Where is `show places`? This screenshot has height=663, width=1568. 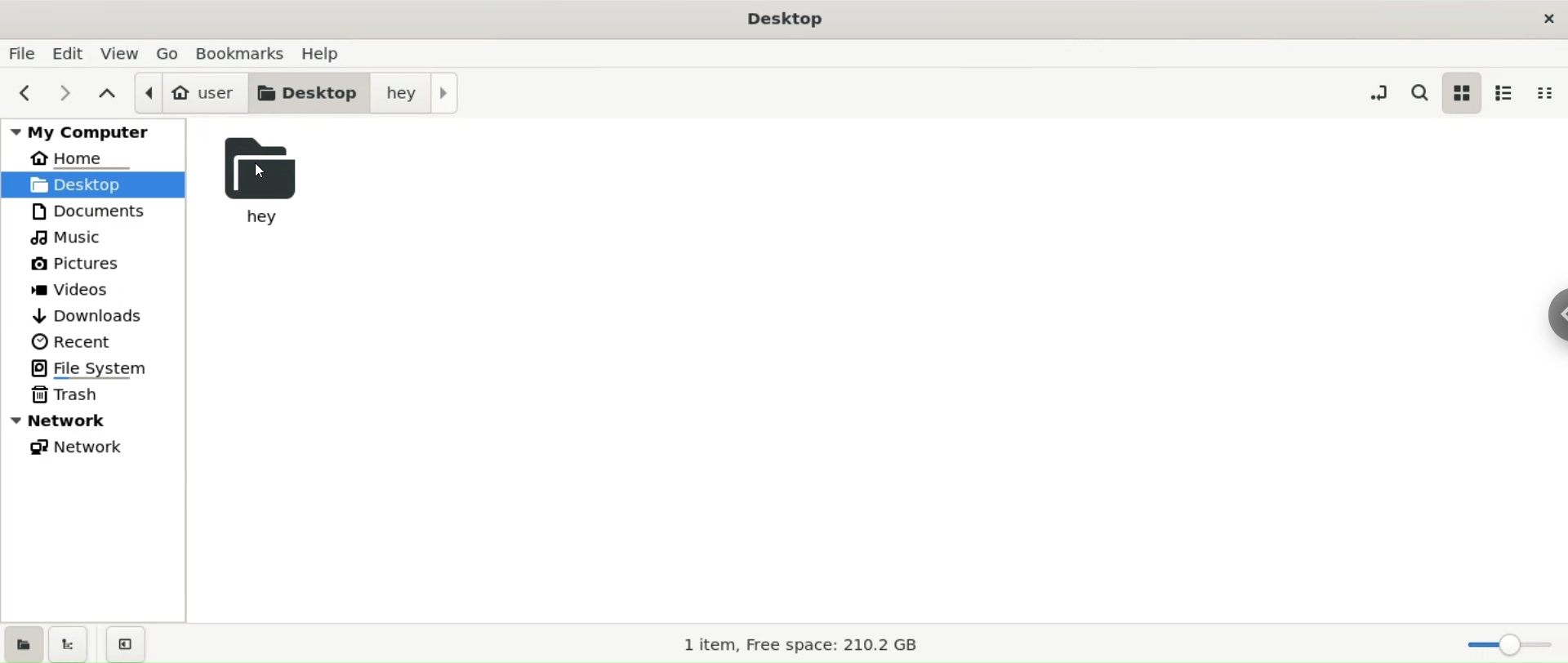 show places is located at coordinates (21, 643).